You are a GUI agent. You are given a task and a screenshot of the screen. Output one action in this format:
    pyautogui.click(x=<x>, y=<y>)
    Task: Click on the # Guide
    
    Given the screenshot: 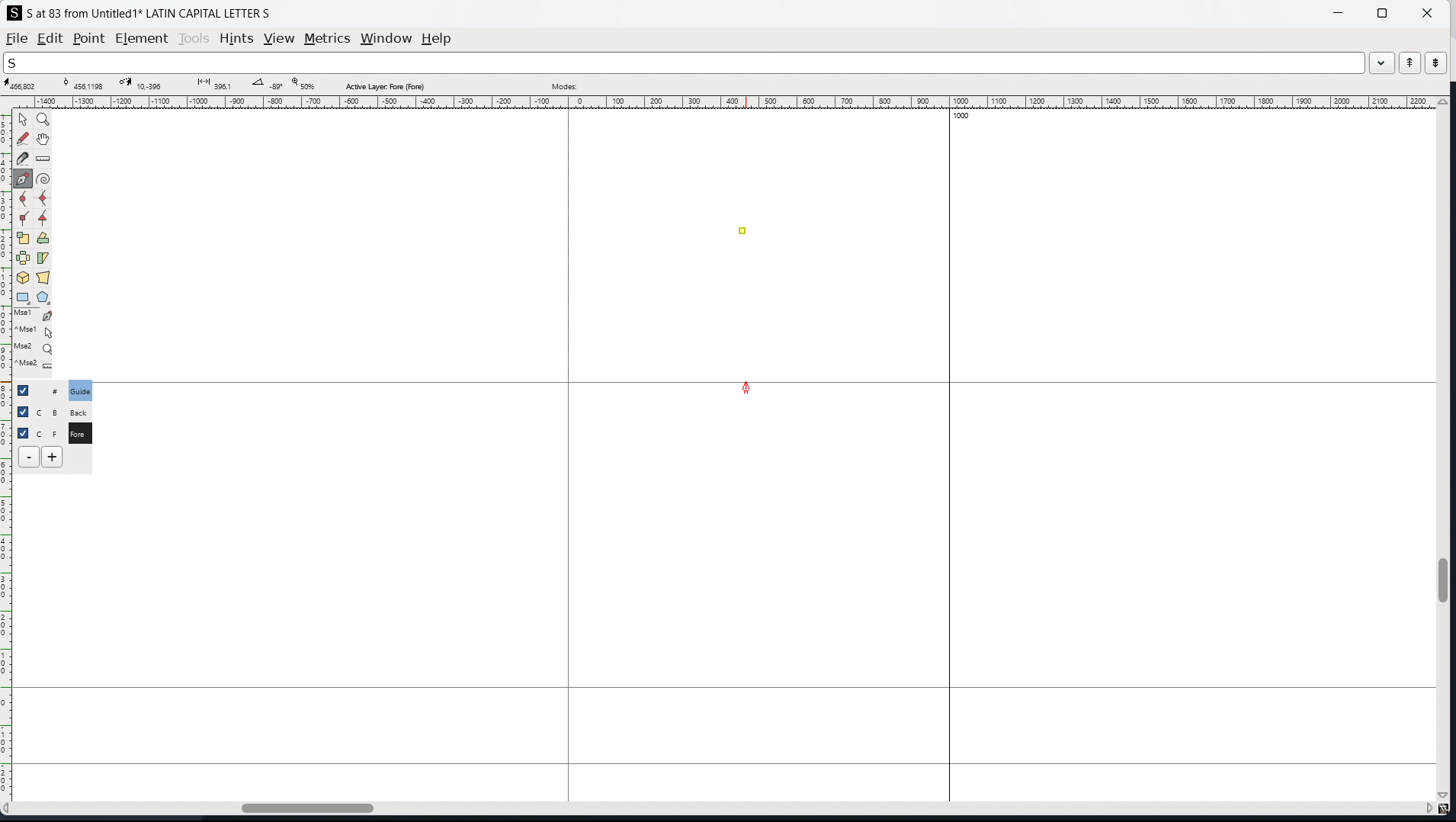 What is the action you would take?
    pyautogui.click(x=82, y=390)
    